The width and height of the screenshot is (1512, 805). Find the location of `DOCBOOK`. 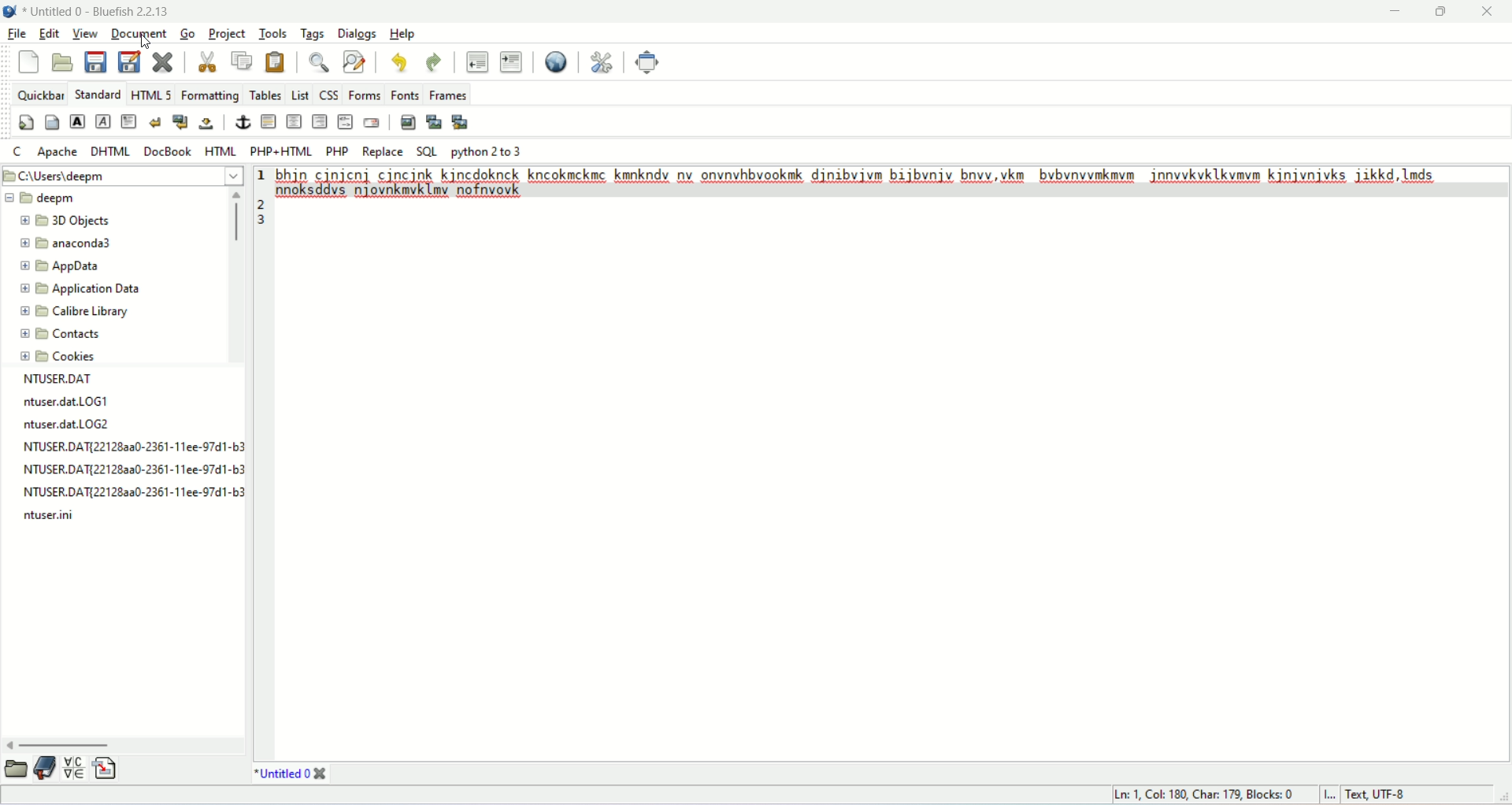

DOCBOOK is located at coordinates (170, 151).